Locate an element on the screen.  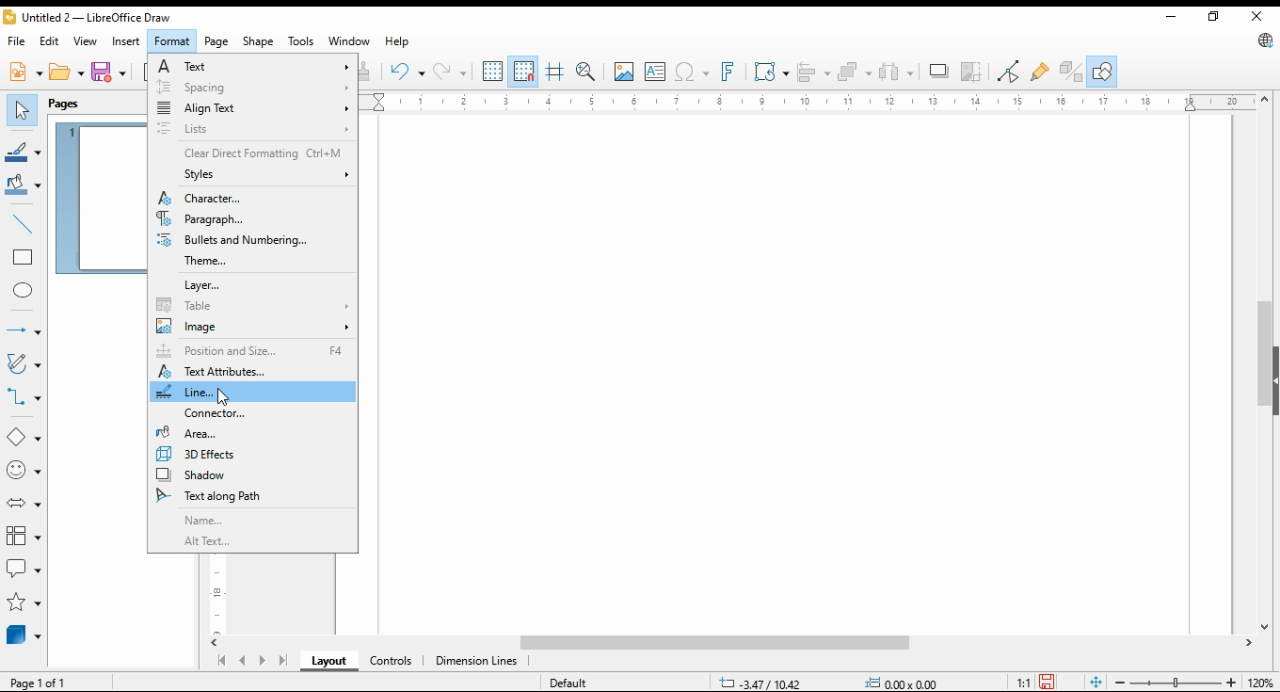
ontrols is located at coordinates (392, 661).